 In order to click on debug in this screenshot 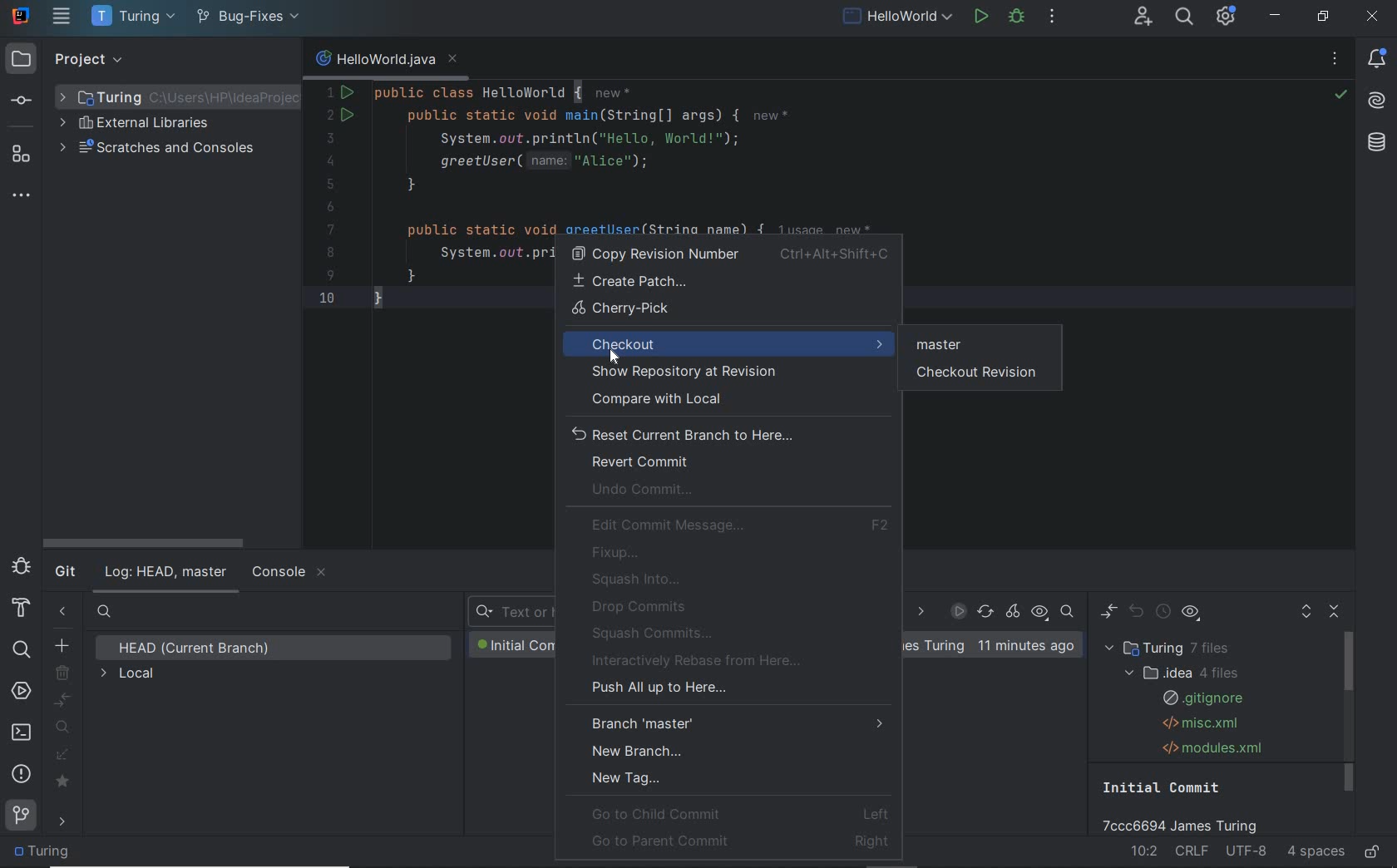, I will do `click(21, 566)`.